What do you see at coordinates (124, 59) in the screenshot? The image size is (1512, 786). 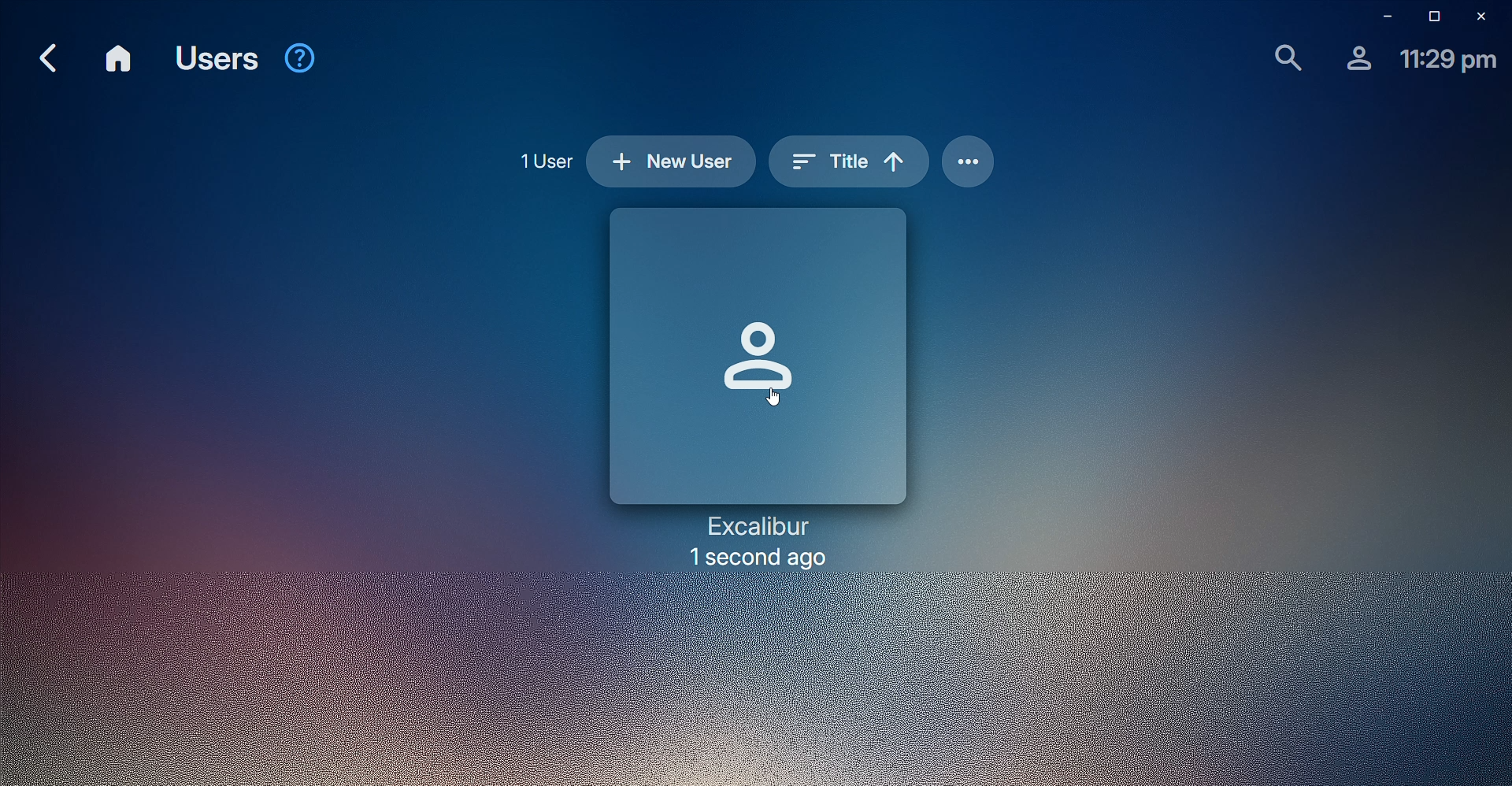 I see `Home` at bounding box center [124, 59].